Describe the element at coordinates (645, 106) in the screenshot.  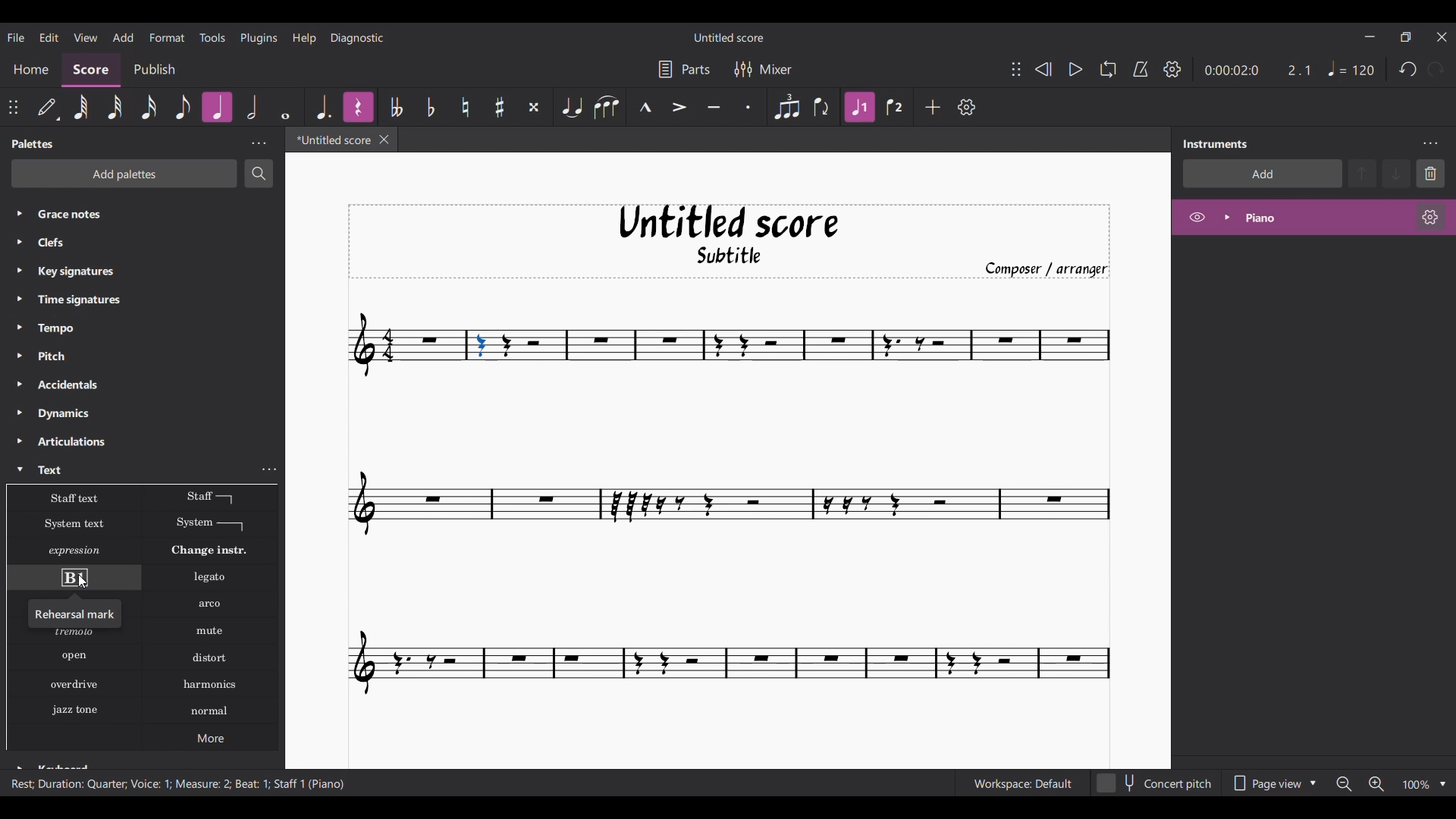
I see `Marcato` at that location.